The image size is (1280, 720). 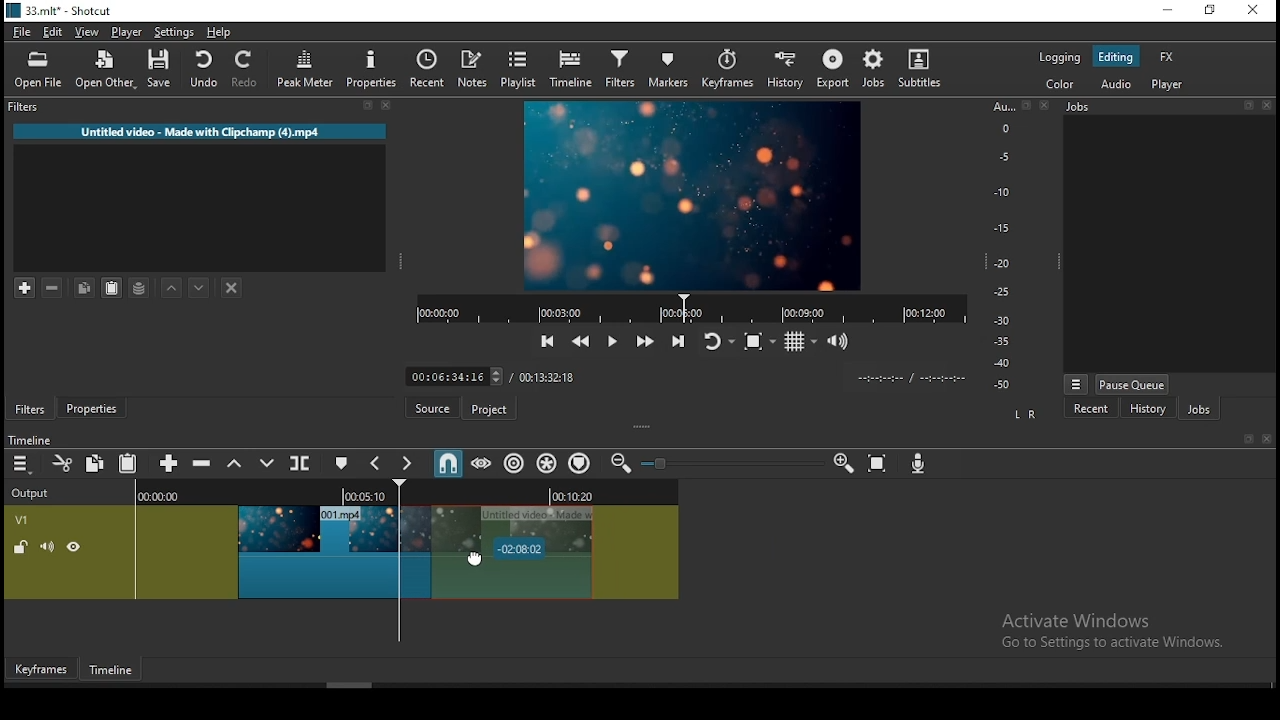 What do you see at coordinates (1086, 110) in the screenshot?
I see `Jobs` at bounding box center [1086, 110].